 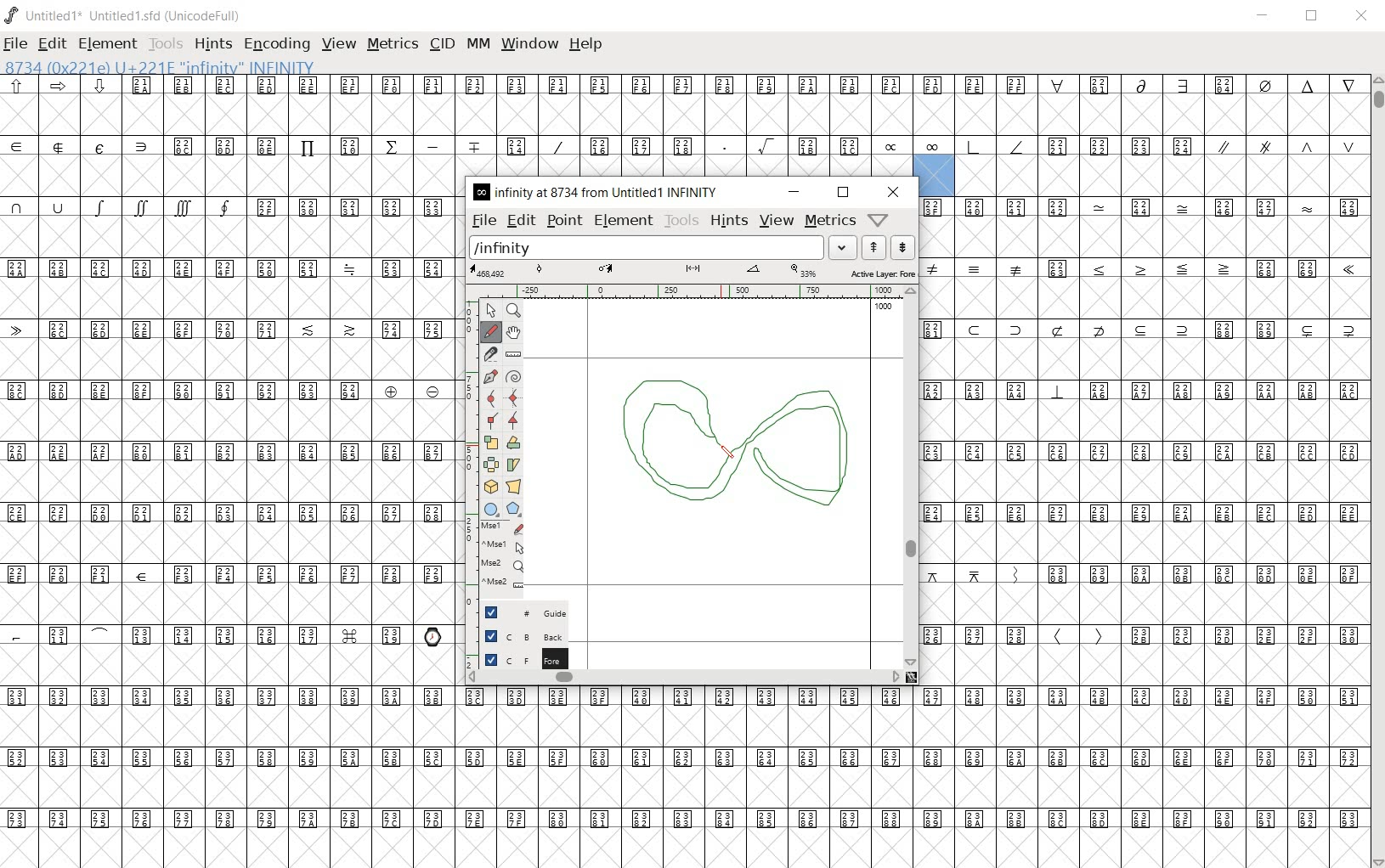 What do you see at coordinates (231, 604) in the screenshot?
I see `empty glyph slots` at bounding box center [231, 604].